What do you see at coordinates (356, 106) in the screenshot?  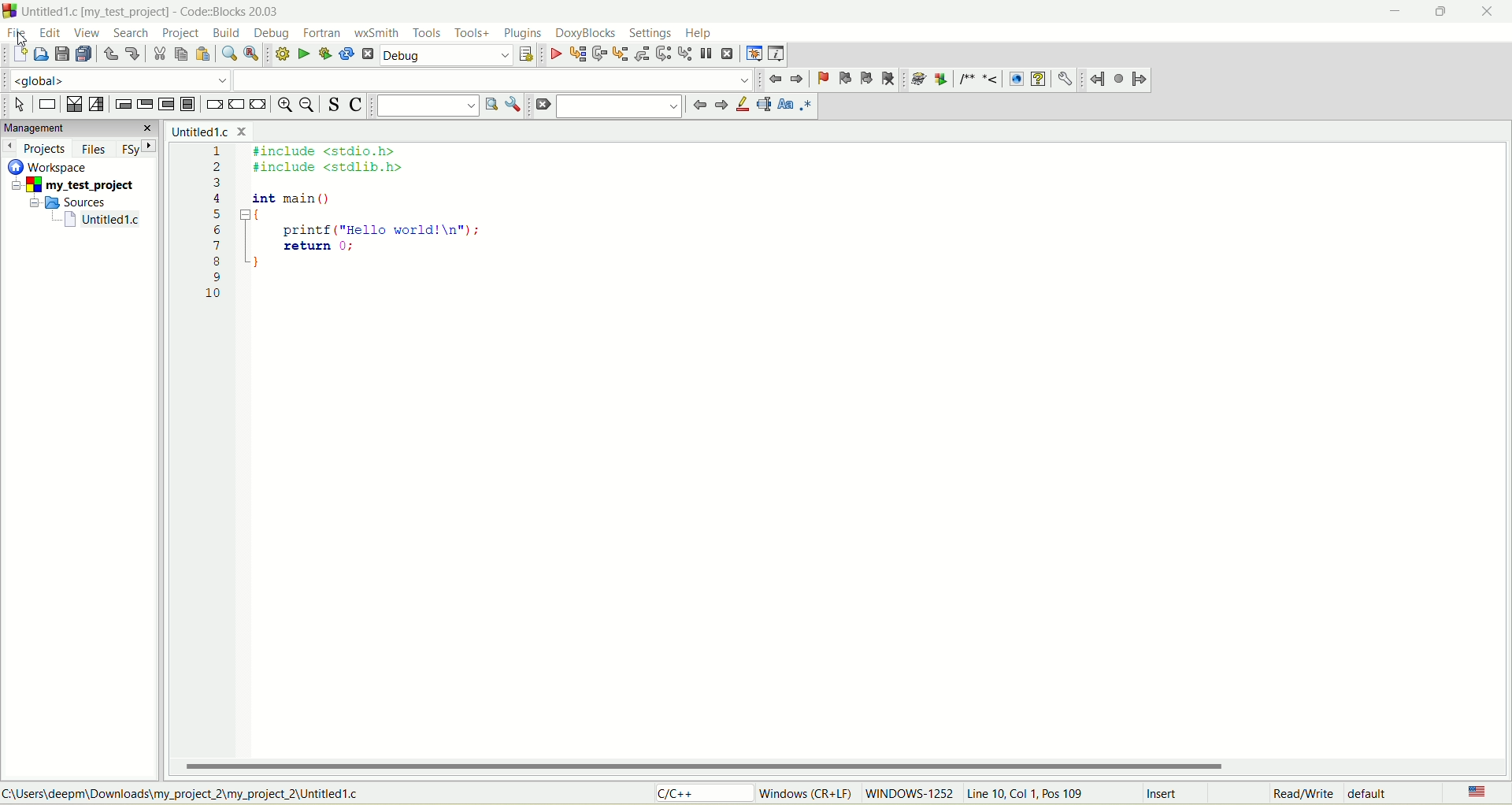 I see `toggle comment` at bounding box center [356, 106].